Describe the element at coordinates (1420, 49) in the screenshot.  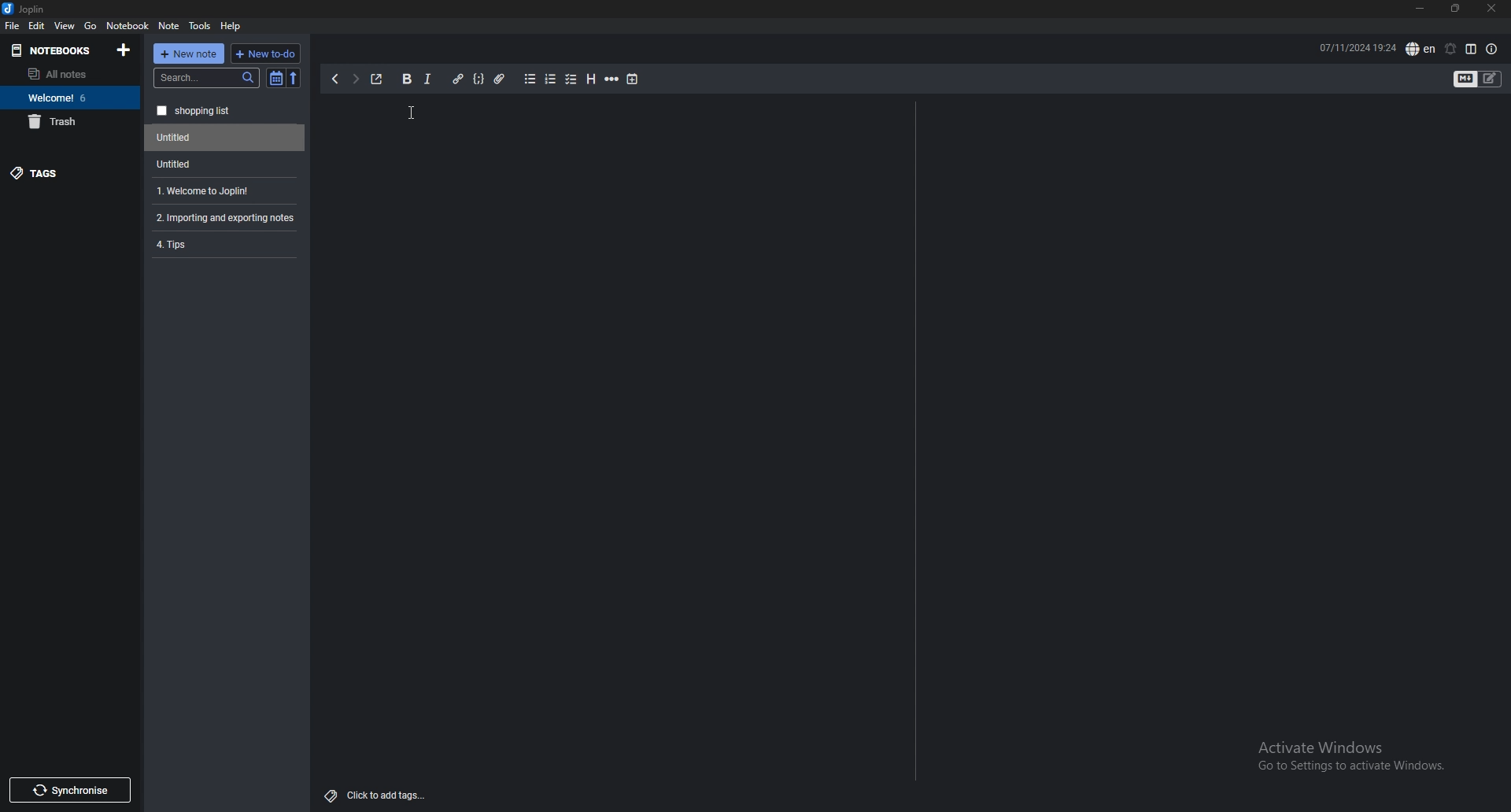
I see `spell check` at that location.